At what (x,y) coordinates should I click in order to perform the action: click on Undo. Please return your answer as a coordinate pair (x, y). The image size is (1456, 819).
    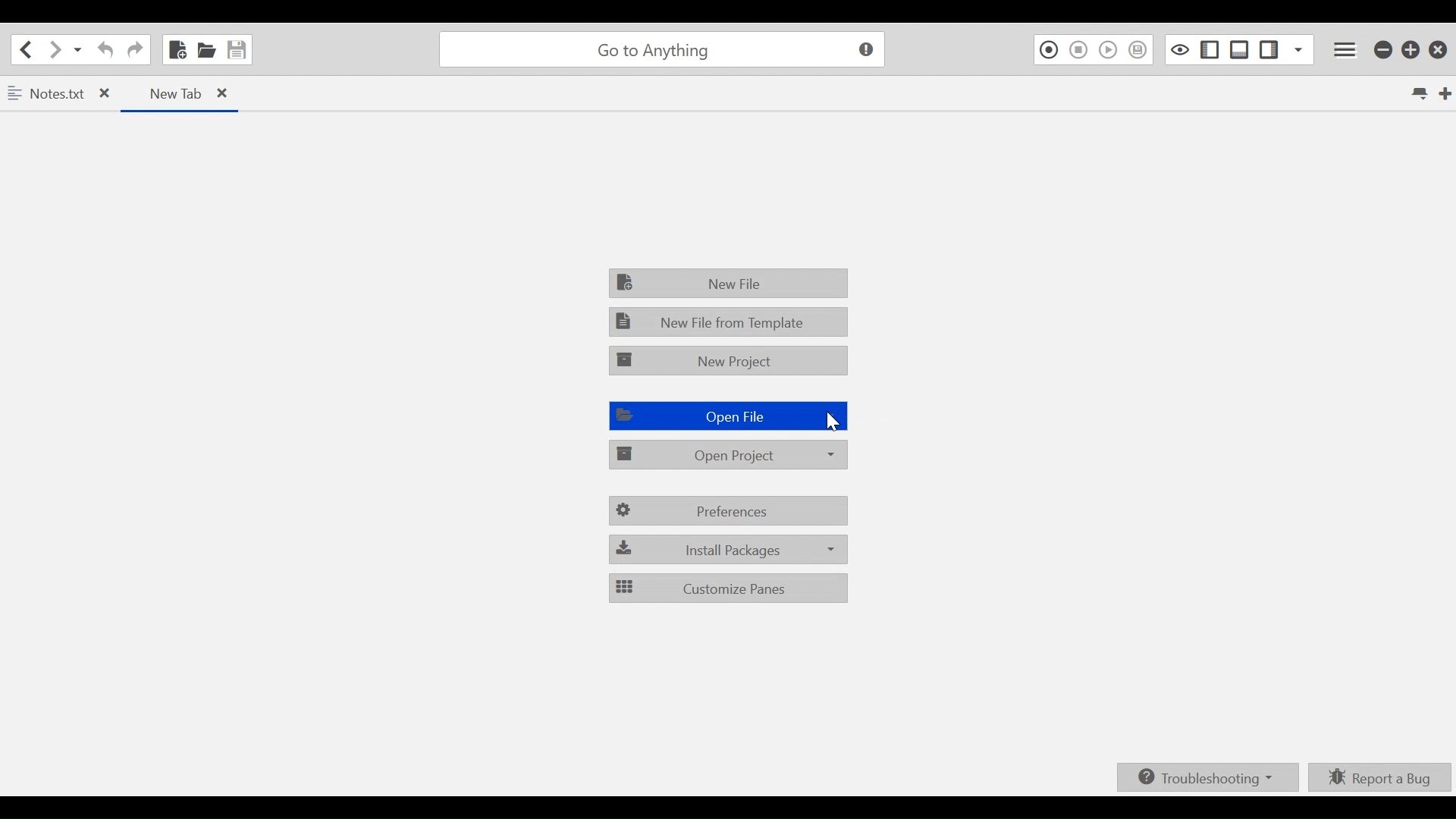
    Looking at the image, I should click on (106, 49).